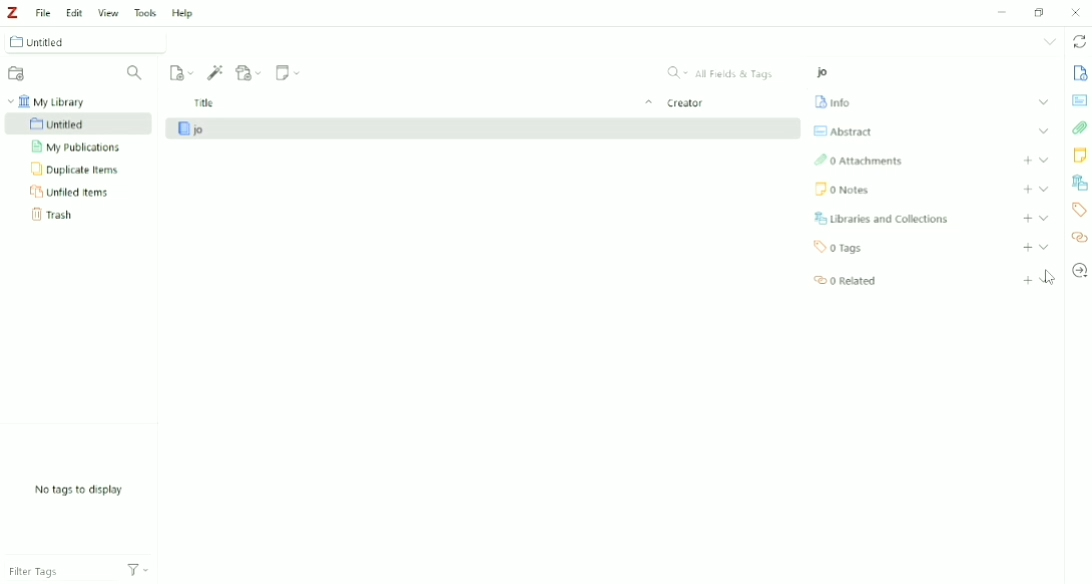  What do you see at coordinates (1078, 155) in the screenshot?
I see `Notes` at bounding box center [1078, 155].